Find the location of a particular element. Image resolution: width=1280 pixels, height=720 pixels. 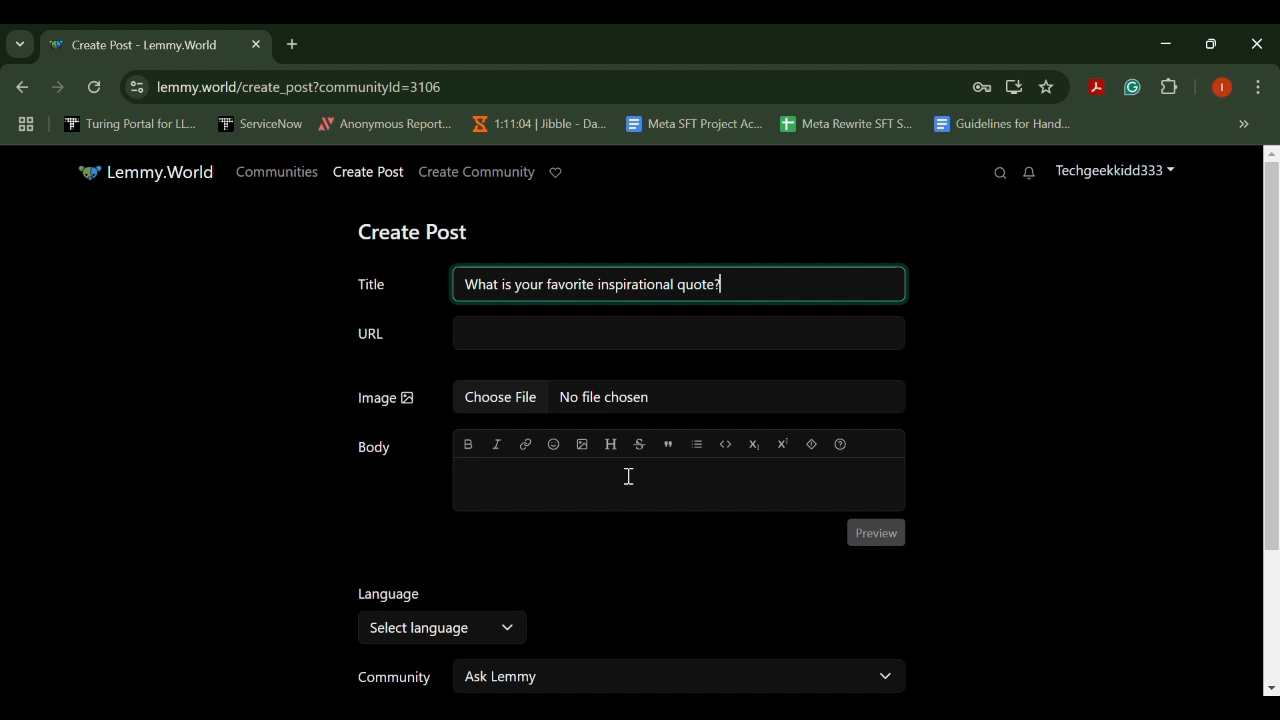

bold is located at coordinates (469, 444).